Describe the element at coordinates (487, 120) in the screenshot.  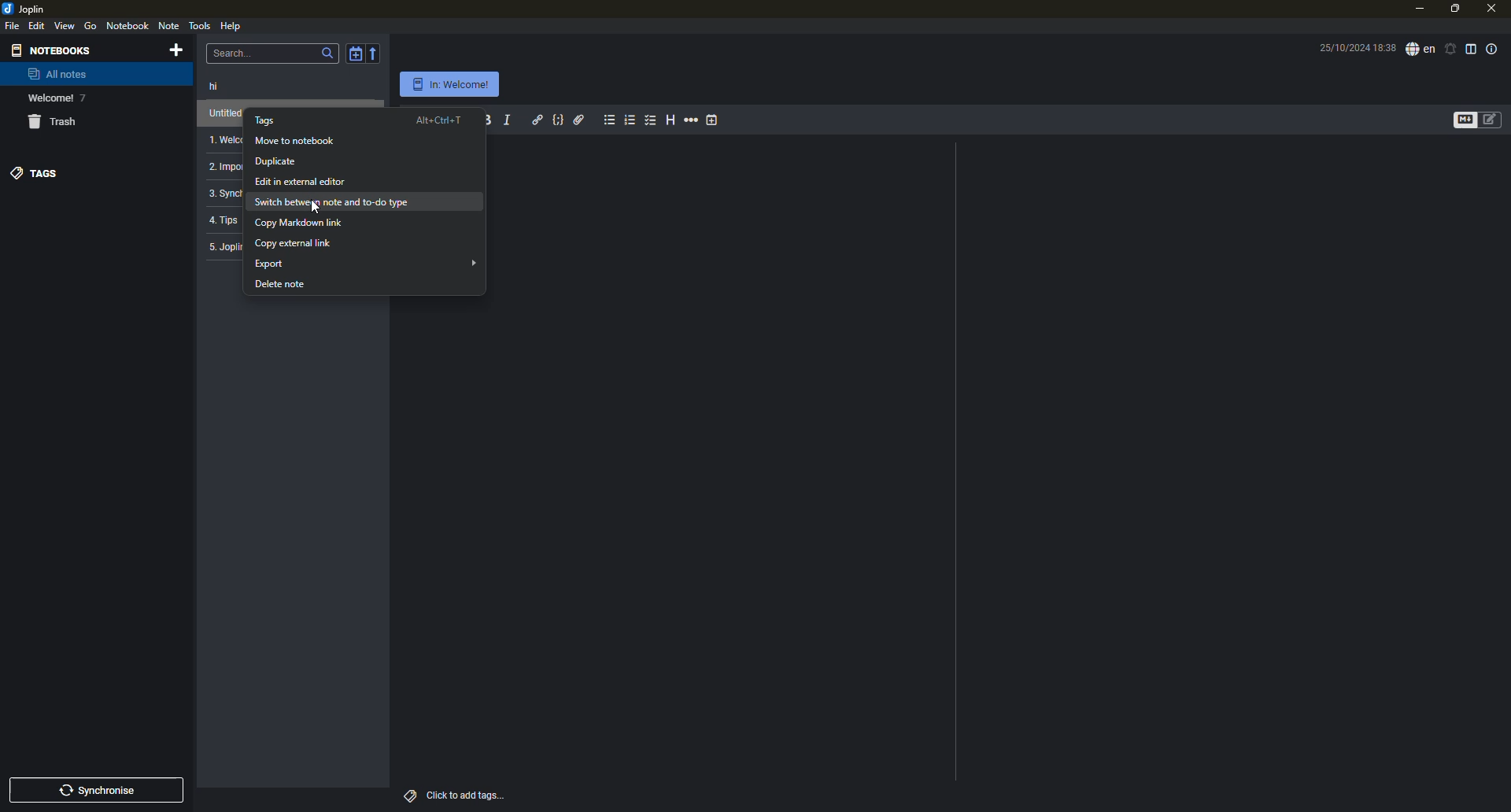
I see `bold` at that location.